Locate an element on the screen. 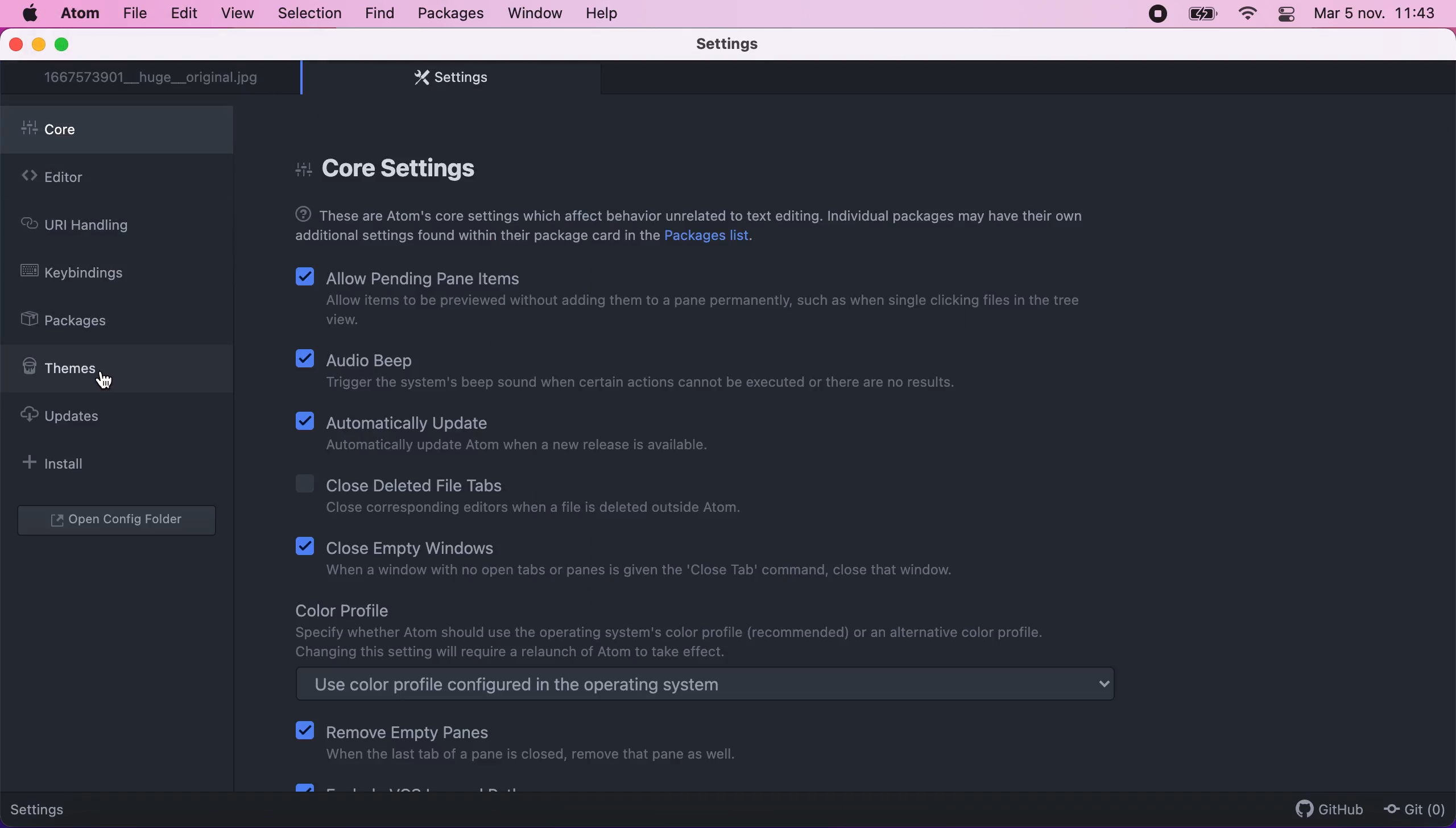 This screenshot has width=1456, height=828. core settings is located at coordinates (408, 166).